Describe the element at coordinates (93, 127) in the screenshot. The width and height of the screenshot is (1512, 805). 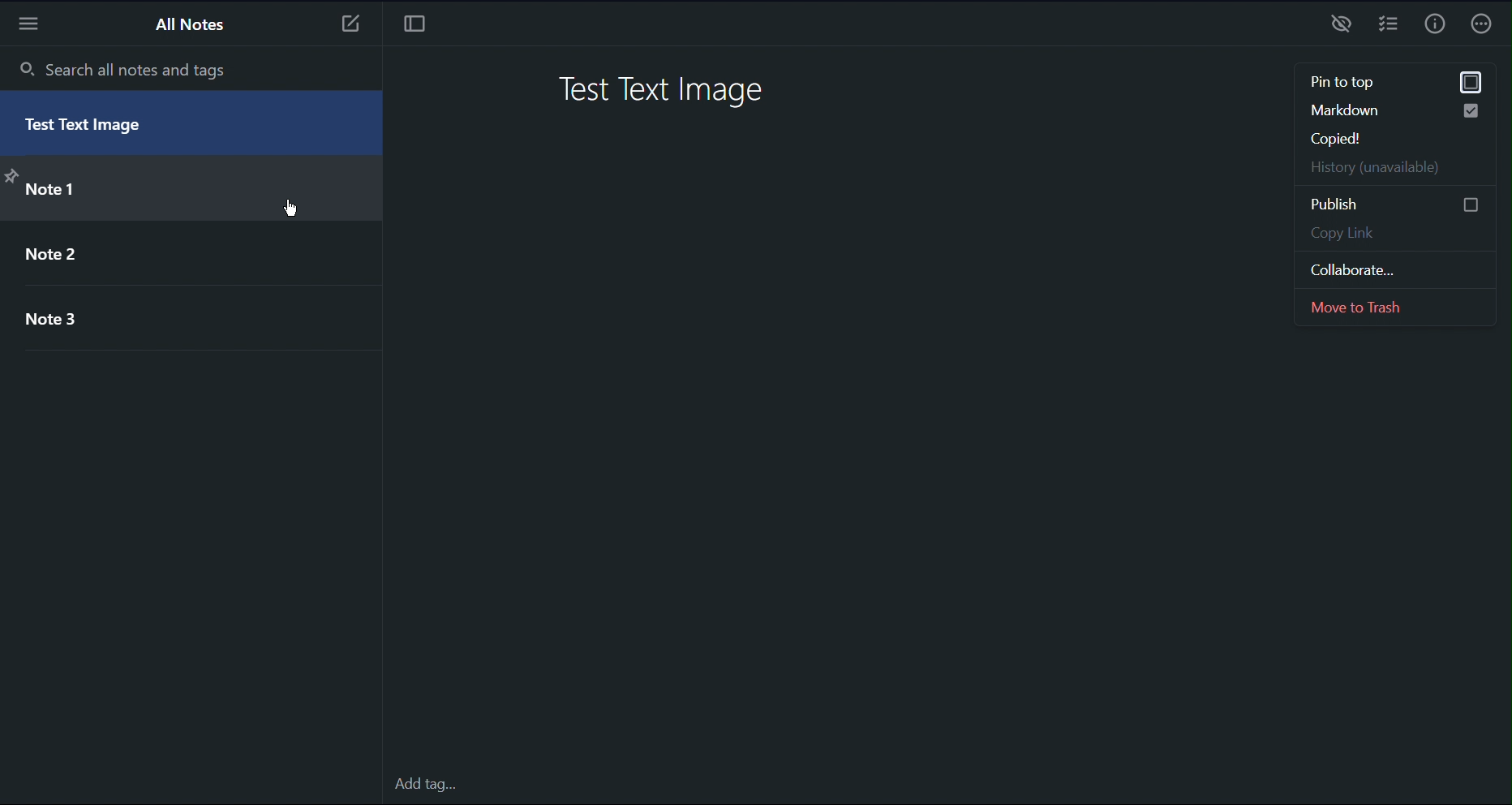
I see `Test Text Image` at that location.